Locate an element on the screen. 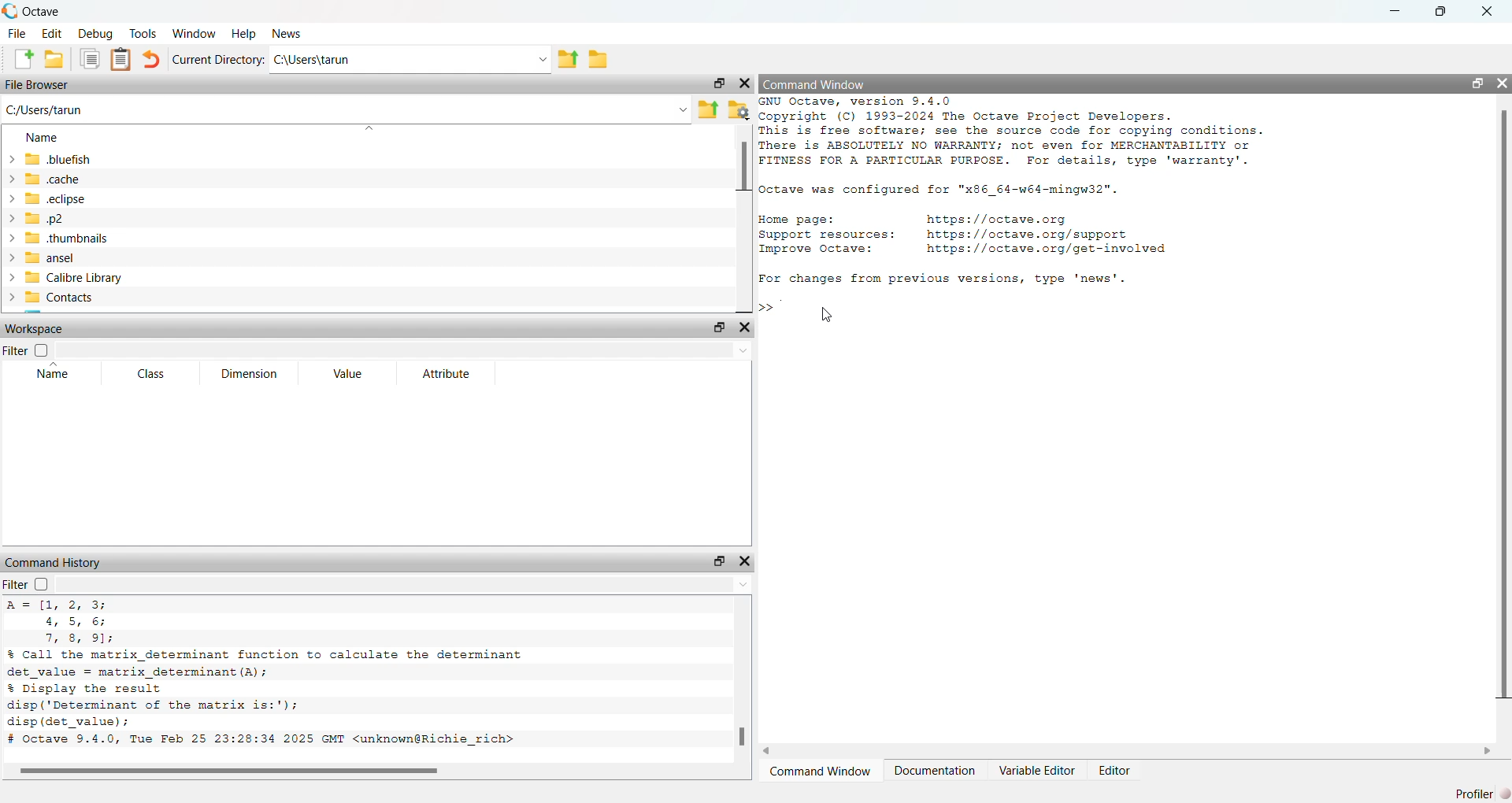  maximize is located at coordinates (719, 561).